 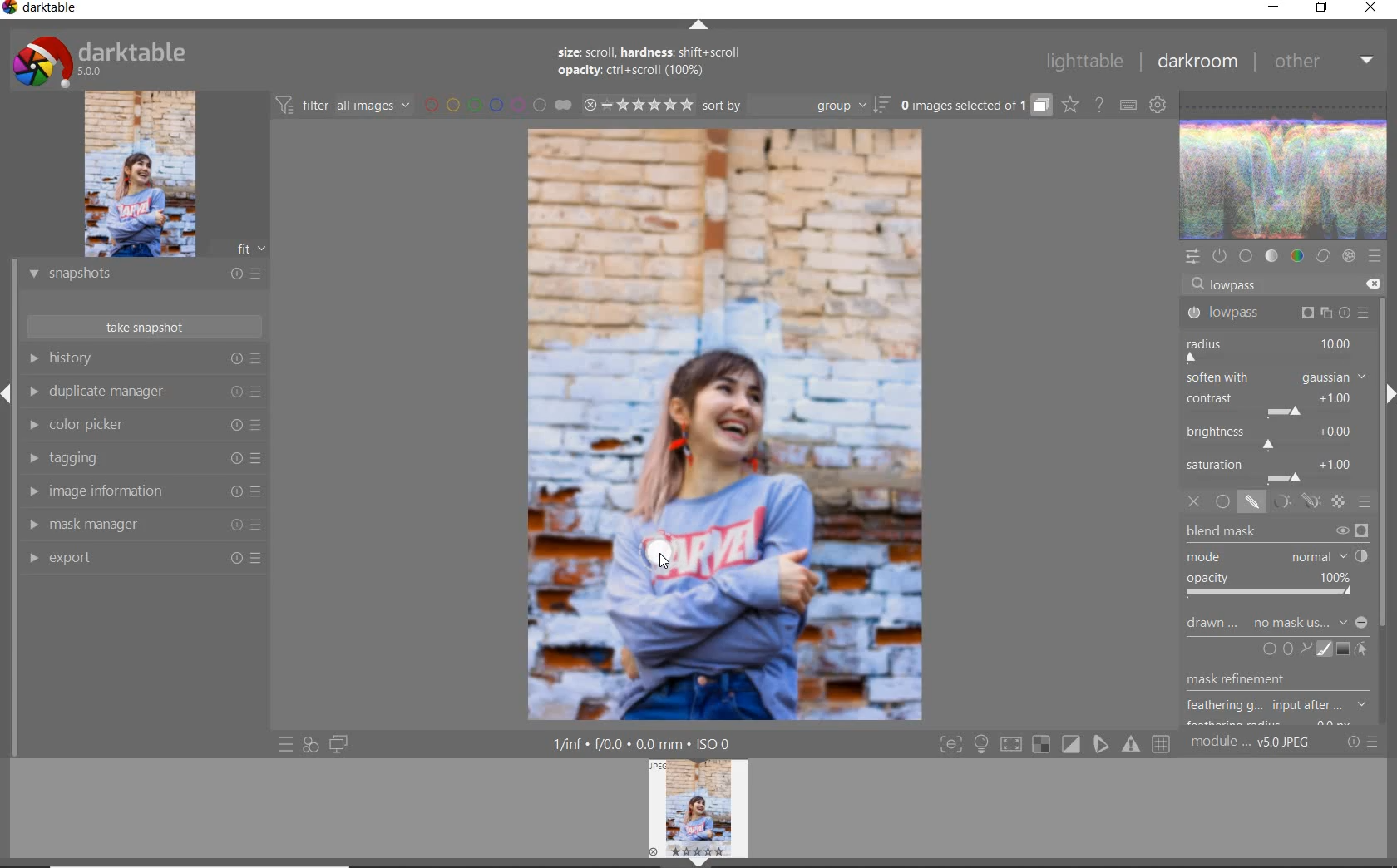 What do you see at coordinates (1370, 9) in the screenshot?
I see `close` at bounding box center [1370, 9].